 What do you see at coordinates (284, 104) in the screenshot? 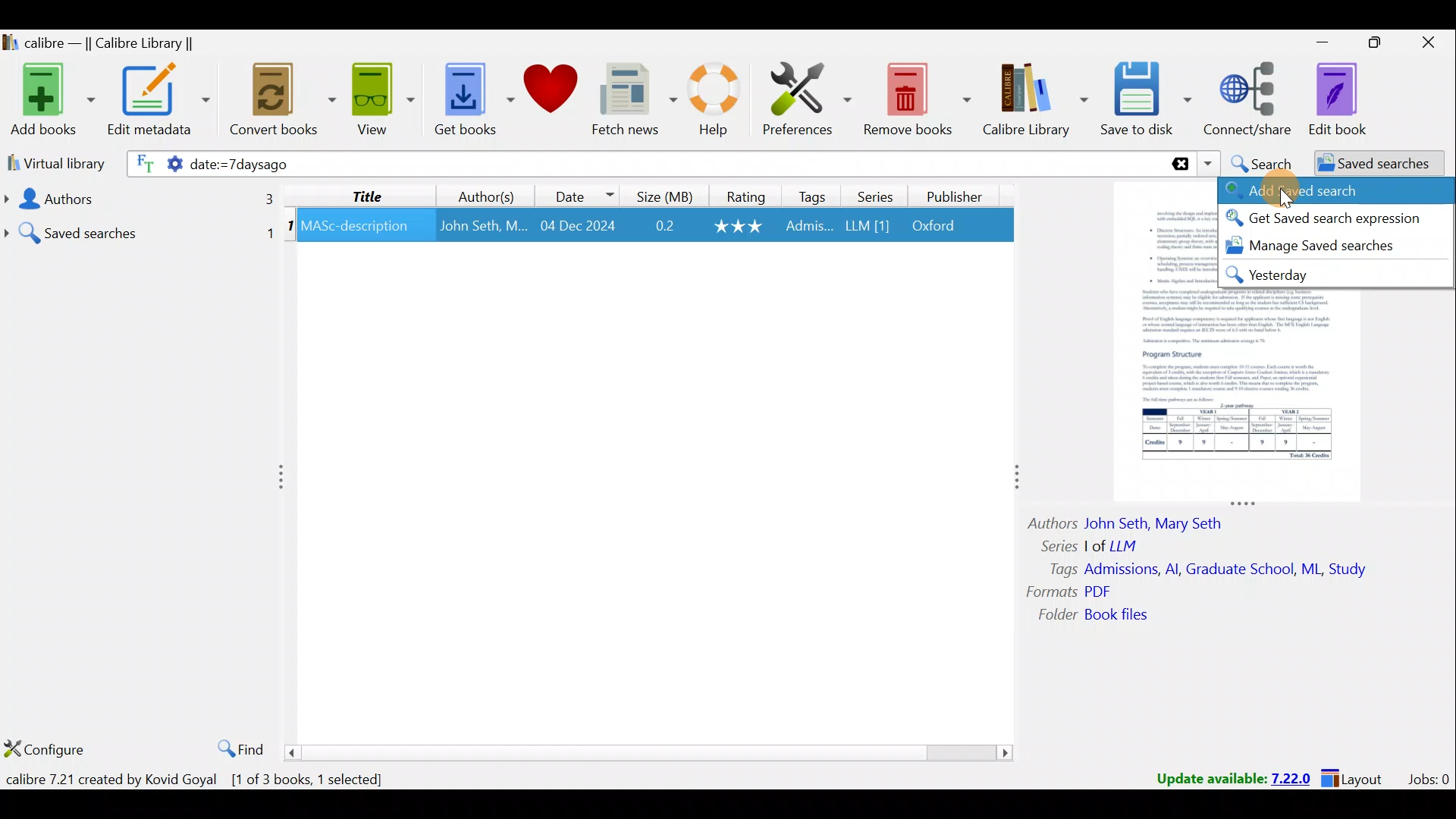
I see `Convert books` at bounding box center [284, 104].